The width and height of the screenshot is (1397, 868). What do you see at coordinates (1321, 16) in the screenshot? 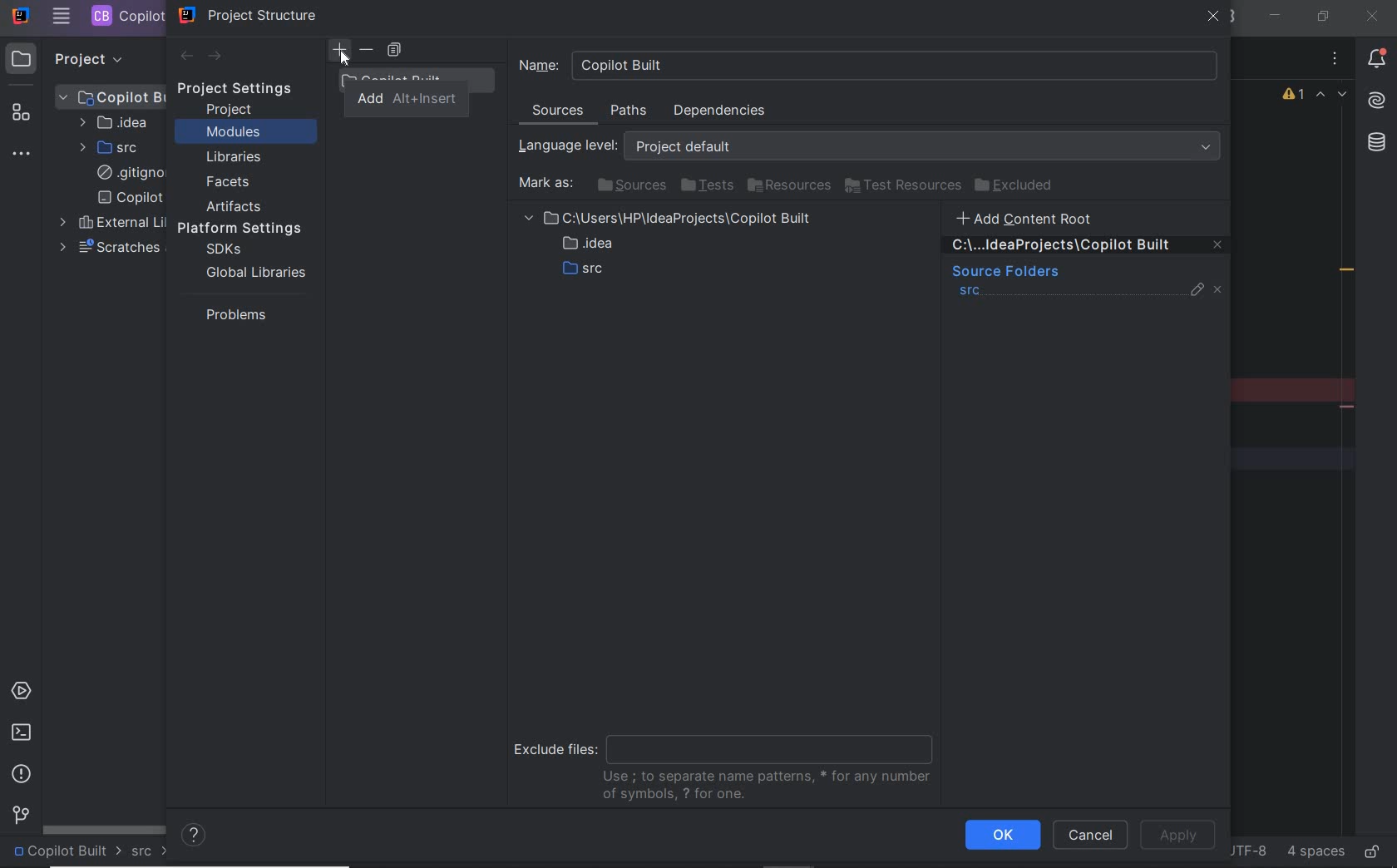
I see `restore down` at bounding box center [1321, 16].